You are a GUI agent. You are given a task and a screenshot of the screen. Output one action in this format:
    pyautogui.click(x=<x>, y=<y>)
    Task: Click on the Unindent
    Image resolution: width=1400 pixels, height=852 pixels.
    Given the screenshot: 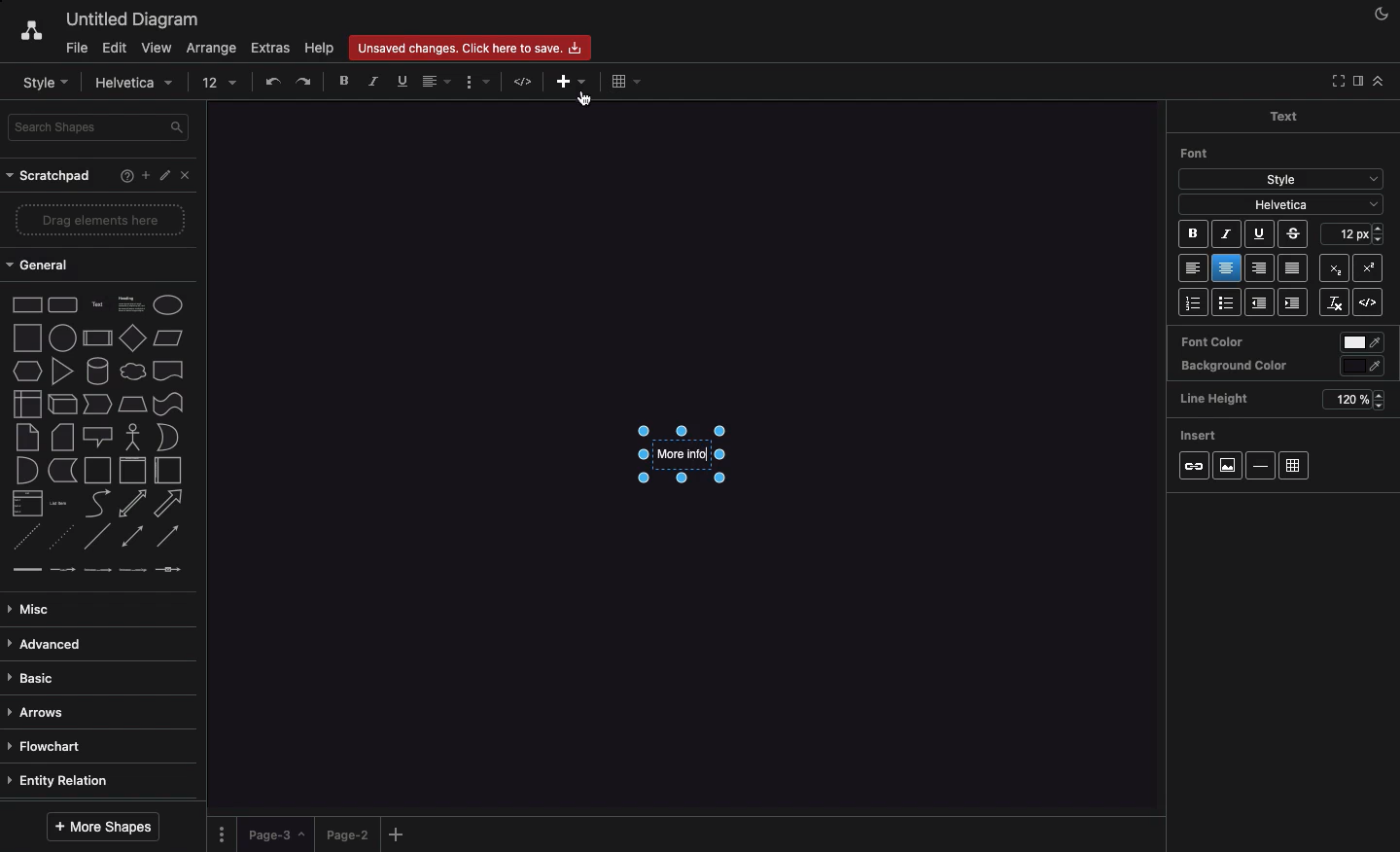 What is the action you would take?
    pyautogui.click(x=1262, y=302)
    